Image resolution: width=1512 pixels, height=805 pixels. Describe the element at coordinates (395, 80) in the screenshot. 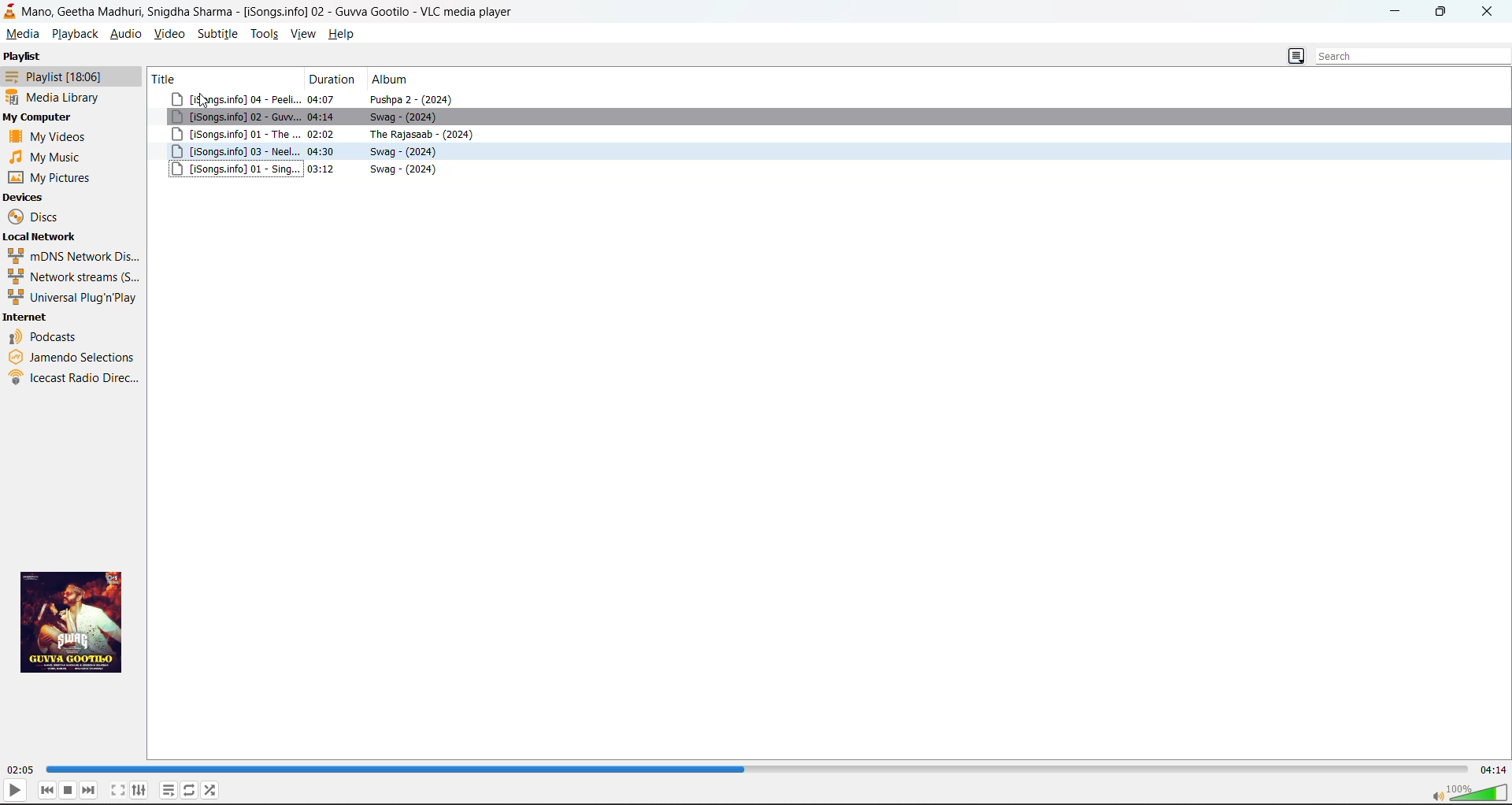

I see `album` at that location.